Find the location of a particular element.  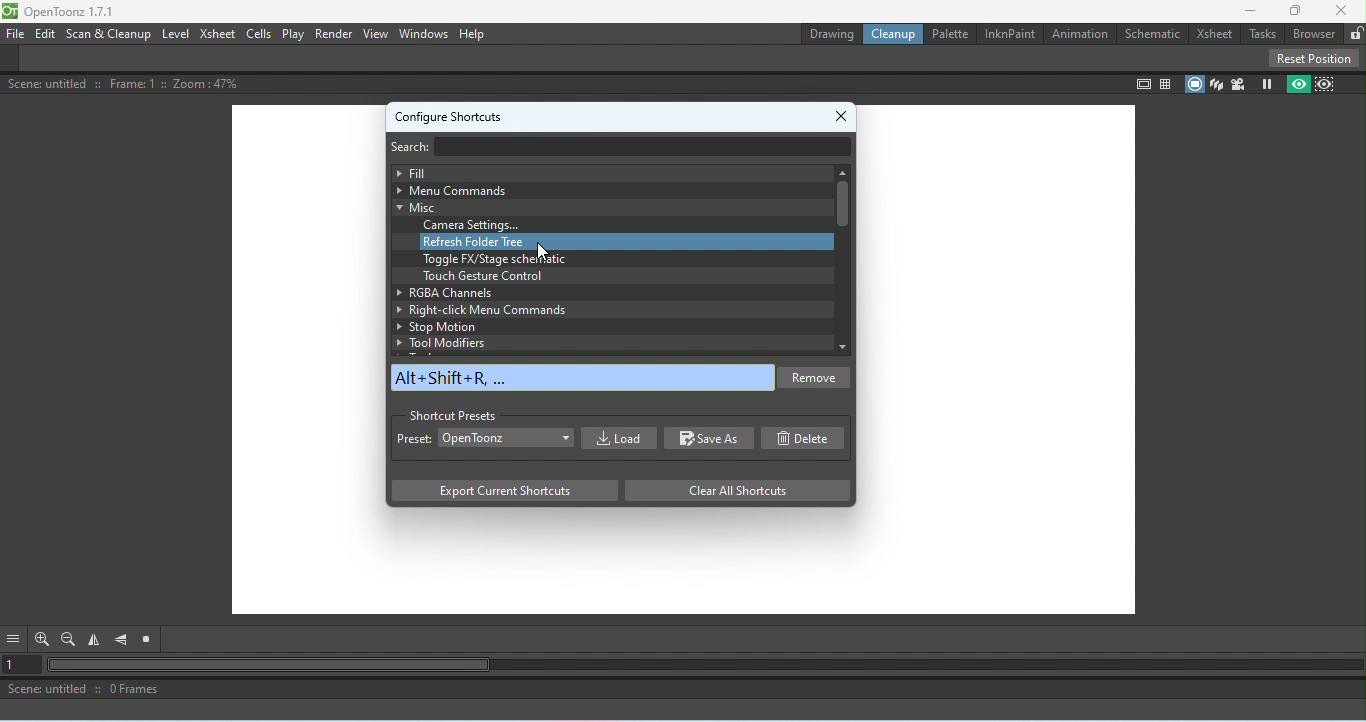

Play is located at coordinates (294, 34).